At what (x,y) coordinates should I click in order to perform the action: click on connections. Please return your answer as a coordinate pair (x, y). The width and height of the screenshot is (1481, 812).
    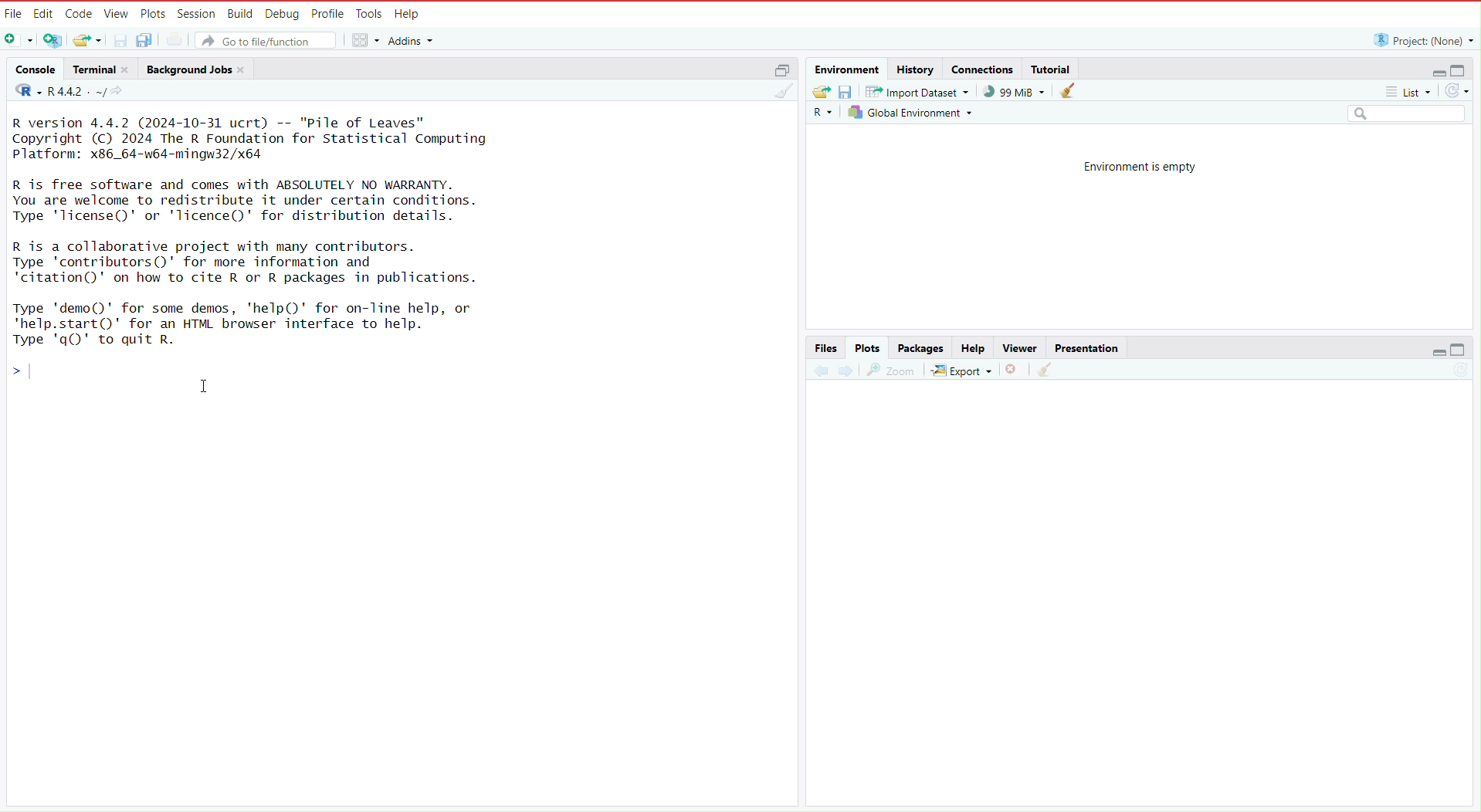
    Looking at the image, I should click on (982, 68).